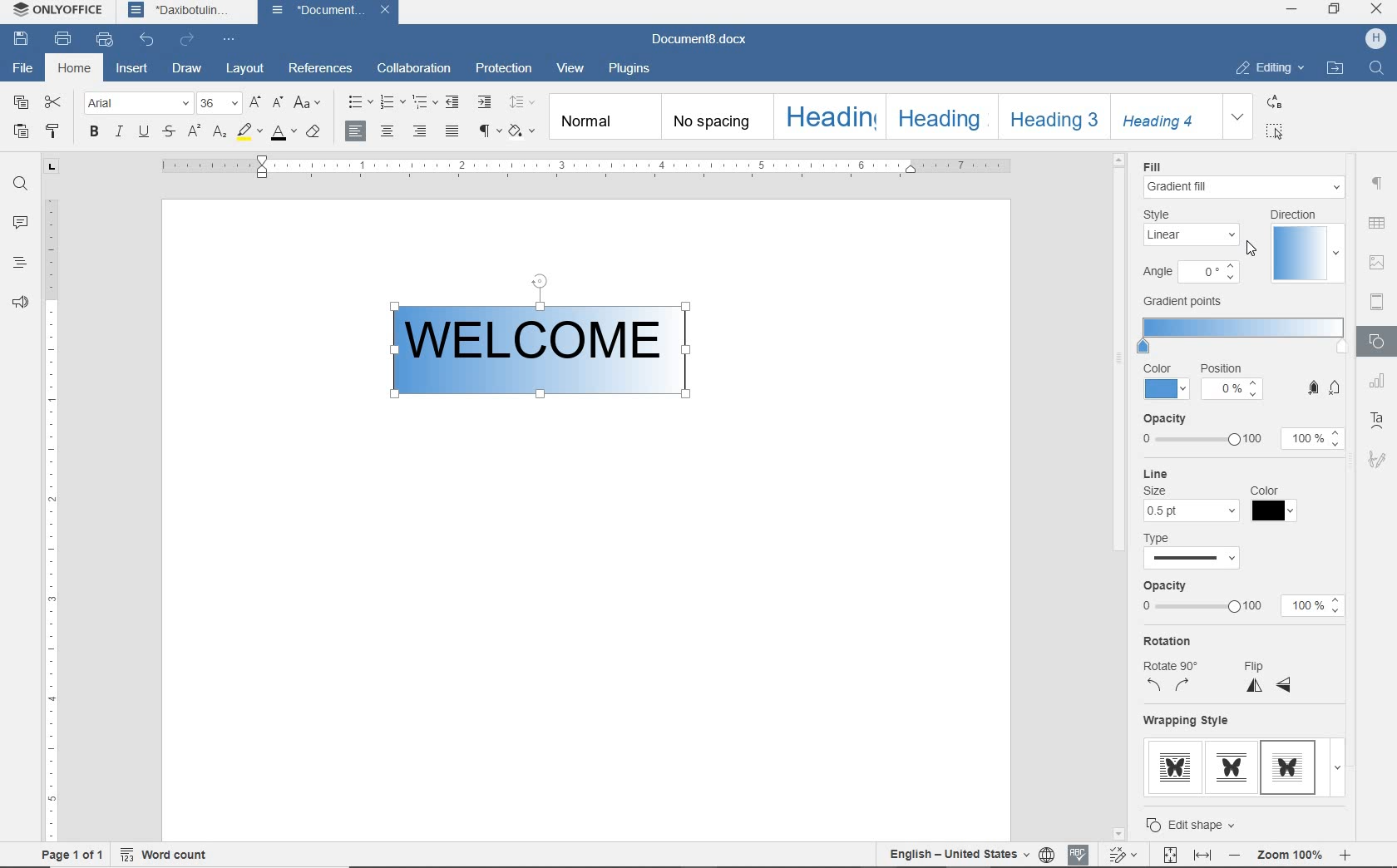 This screenshot has height=868, width=1397. I want to click on HOME, so click(76, 69).